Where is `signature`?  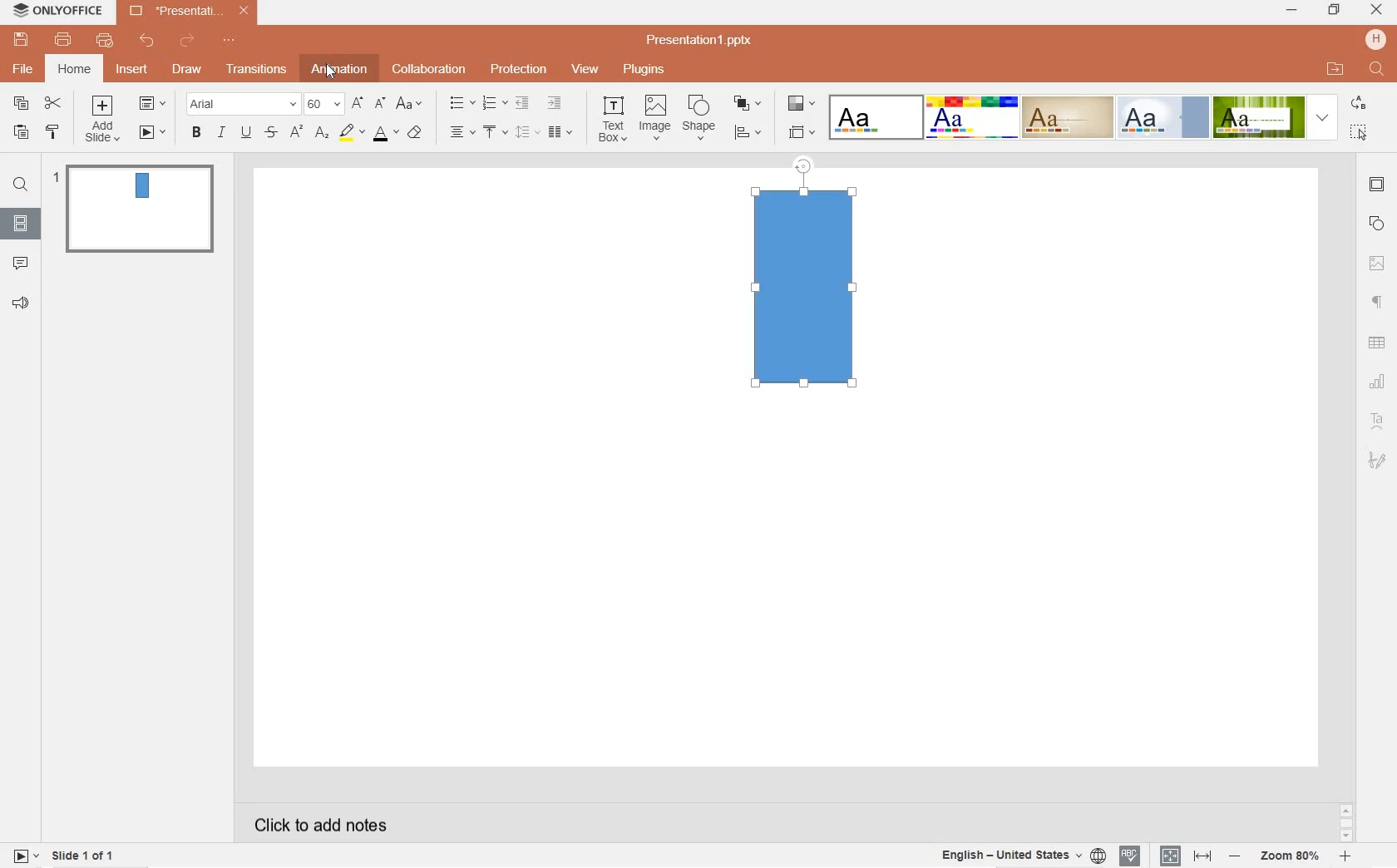
signature is located at coordinates (1378, 460).